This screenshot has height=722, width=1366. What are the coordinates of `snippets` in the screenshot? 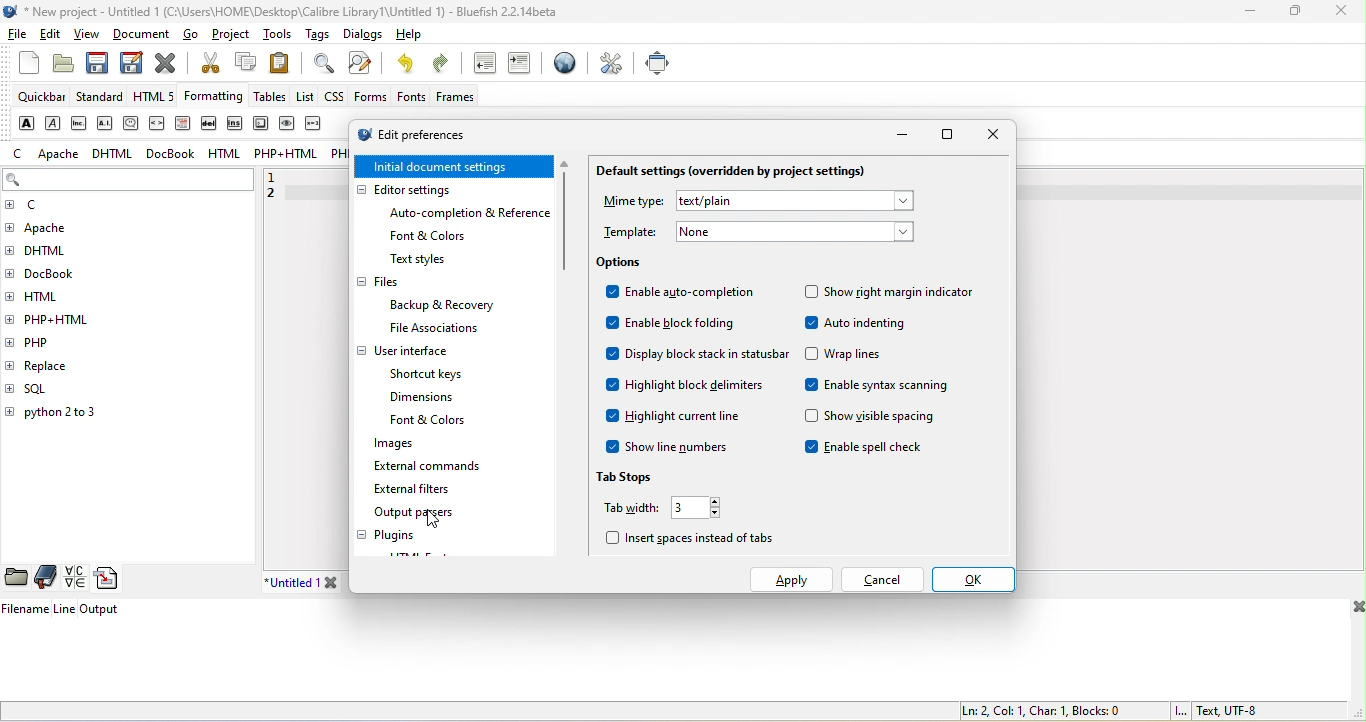 It's located at (111, 579).